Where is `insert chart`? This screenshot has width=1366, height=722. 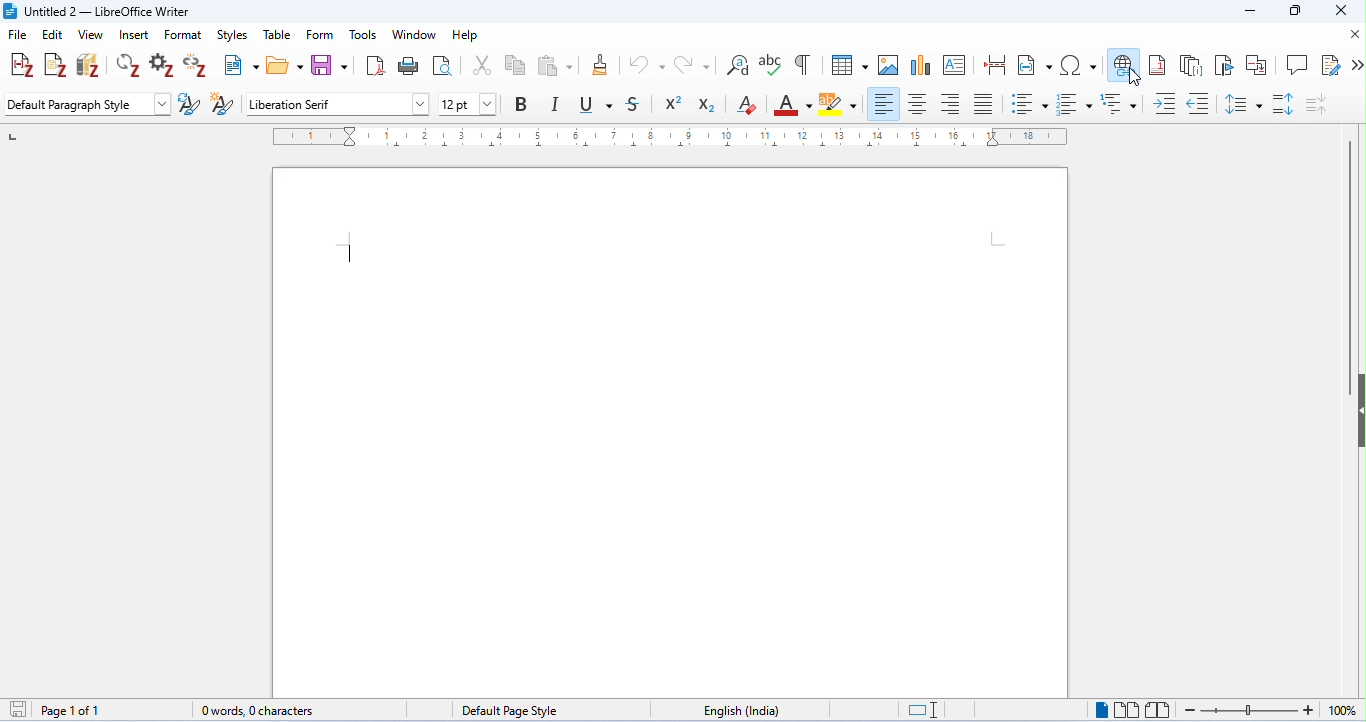
insert chart is located at coordinates (921, 64).